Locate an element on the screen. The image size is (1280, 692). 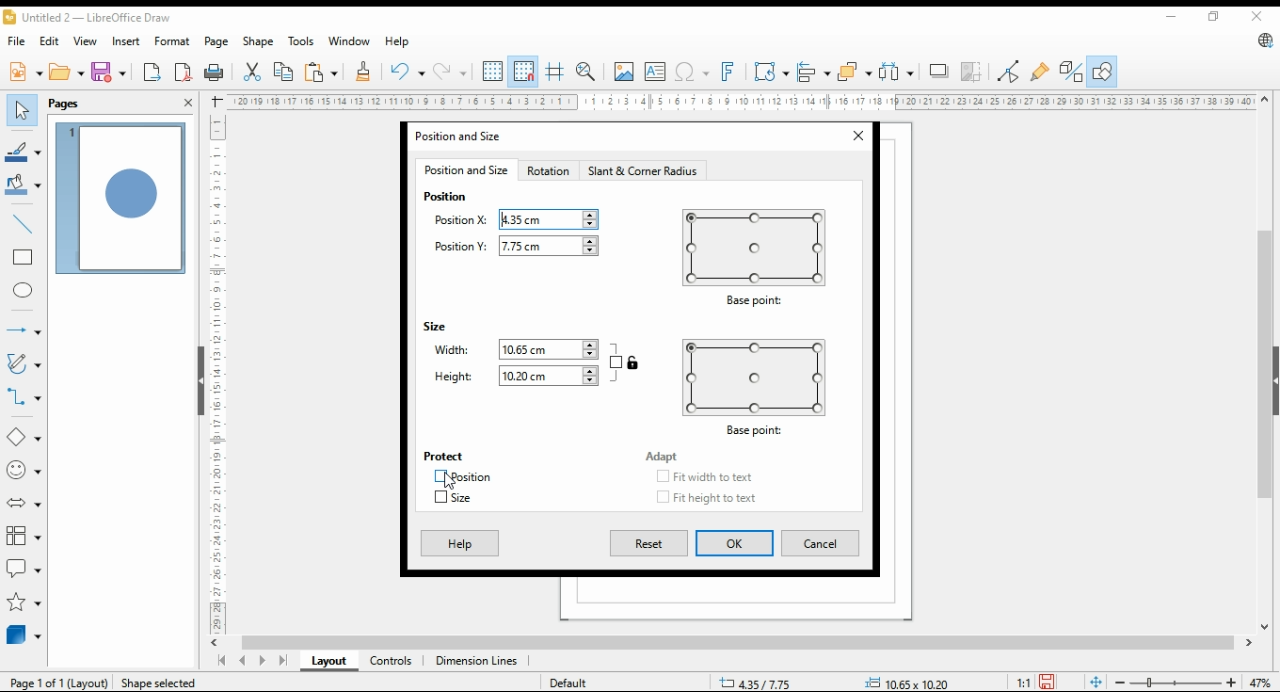
height: 10.20cm is located at coordinates (510, 376).